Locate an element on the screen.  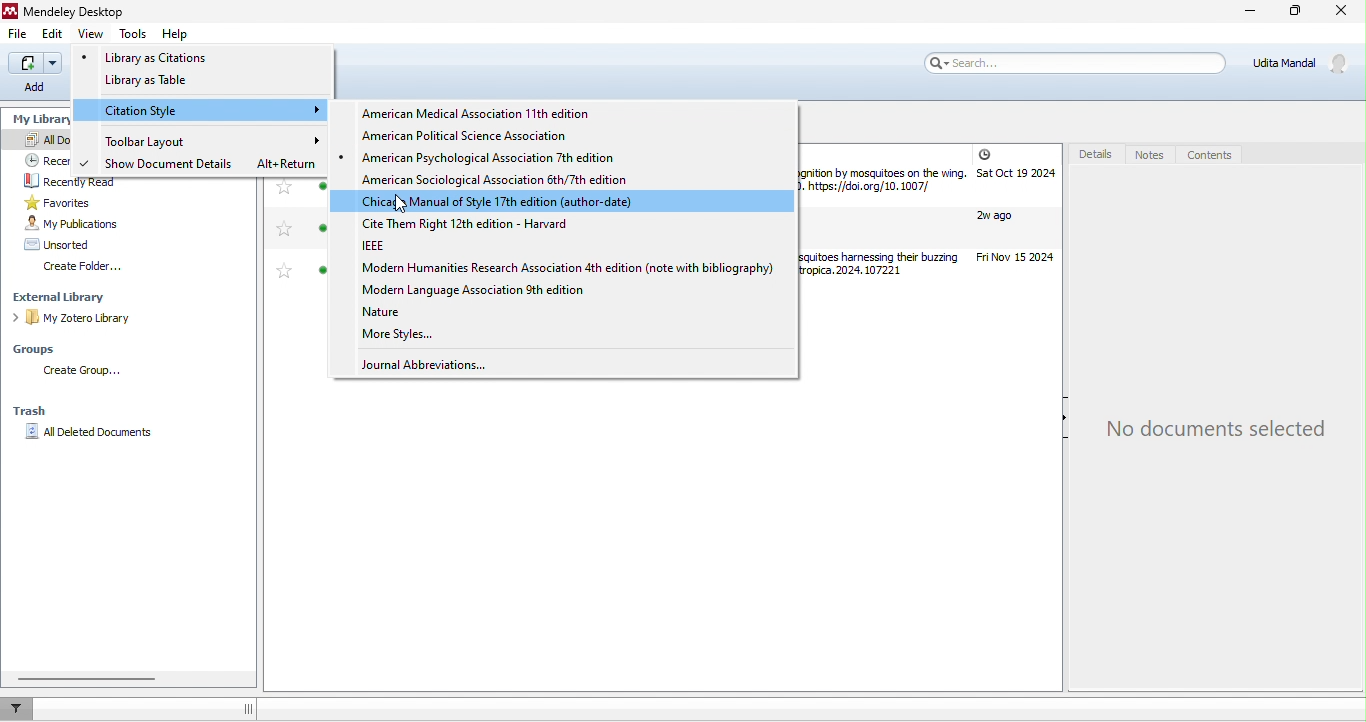
ieee is located at coordinates (380, 246).